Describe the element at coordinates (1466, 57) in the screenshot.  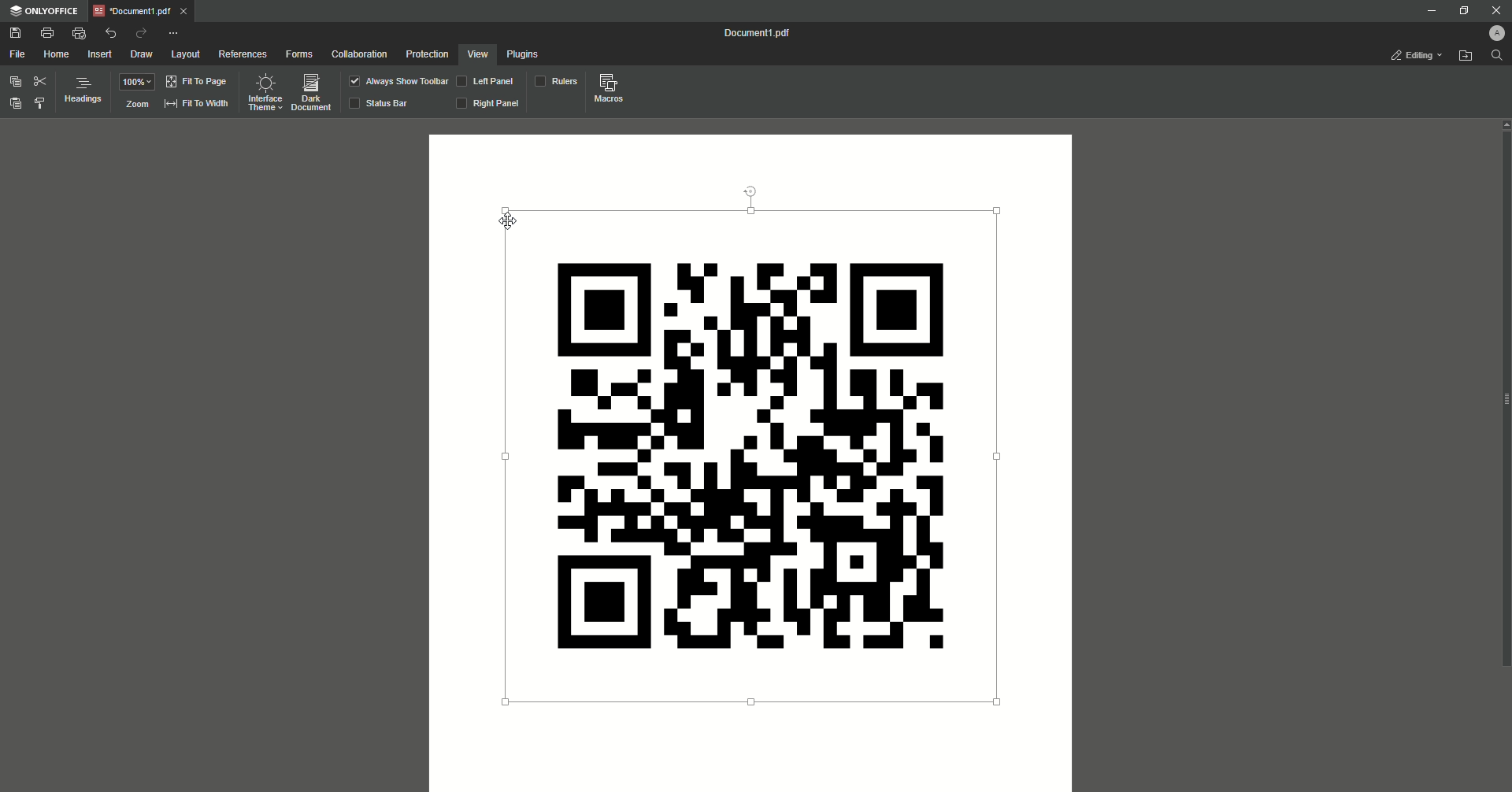
I see `Open` at that location.